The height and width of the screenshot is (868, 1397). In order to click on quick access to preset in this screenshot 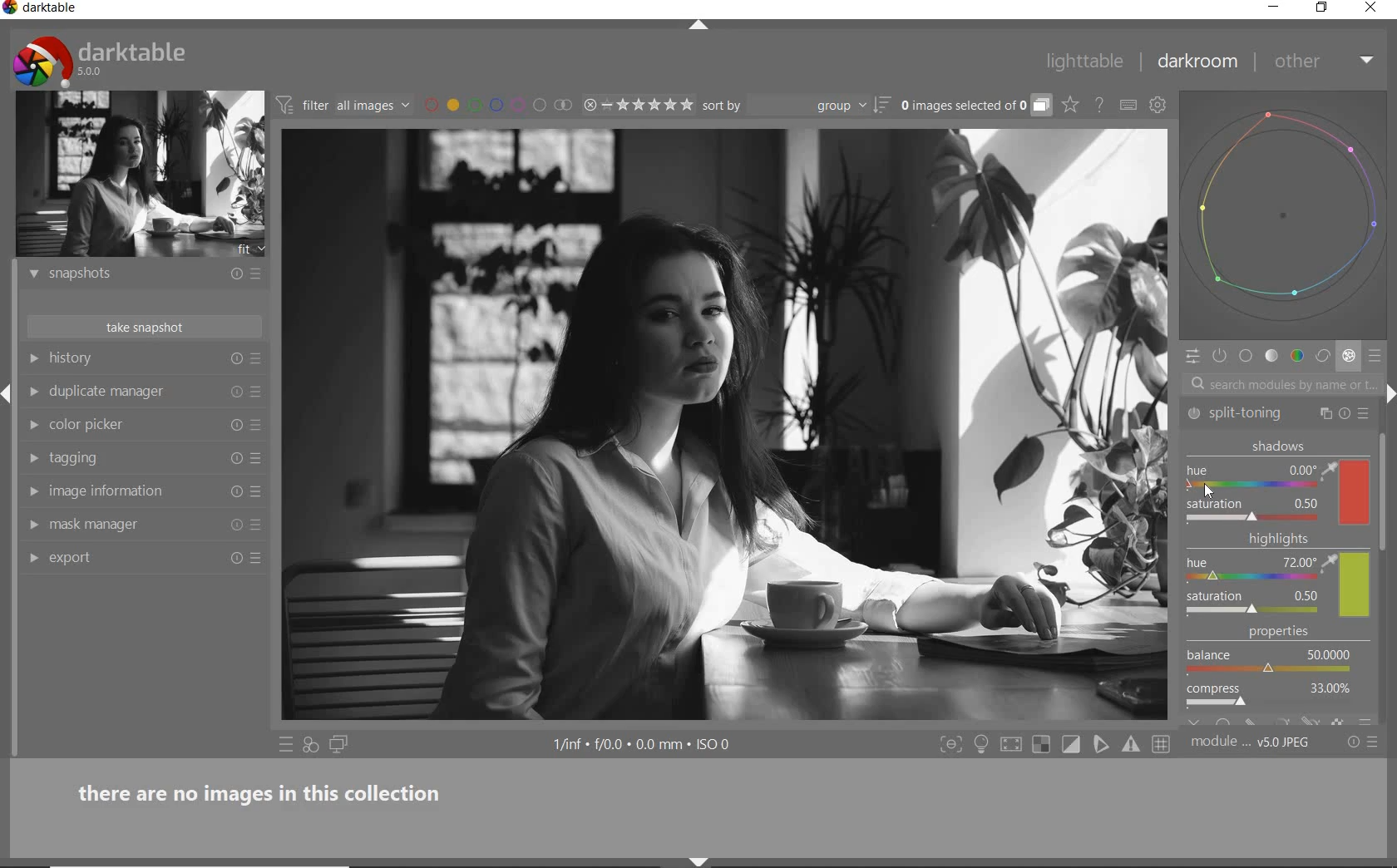, I will do `click(286, 744)`.